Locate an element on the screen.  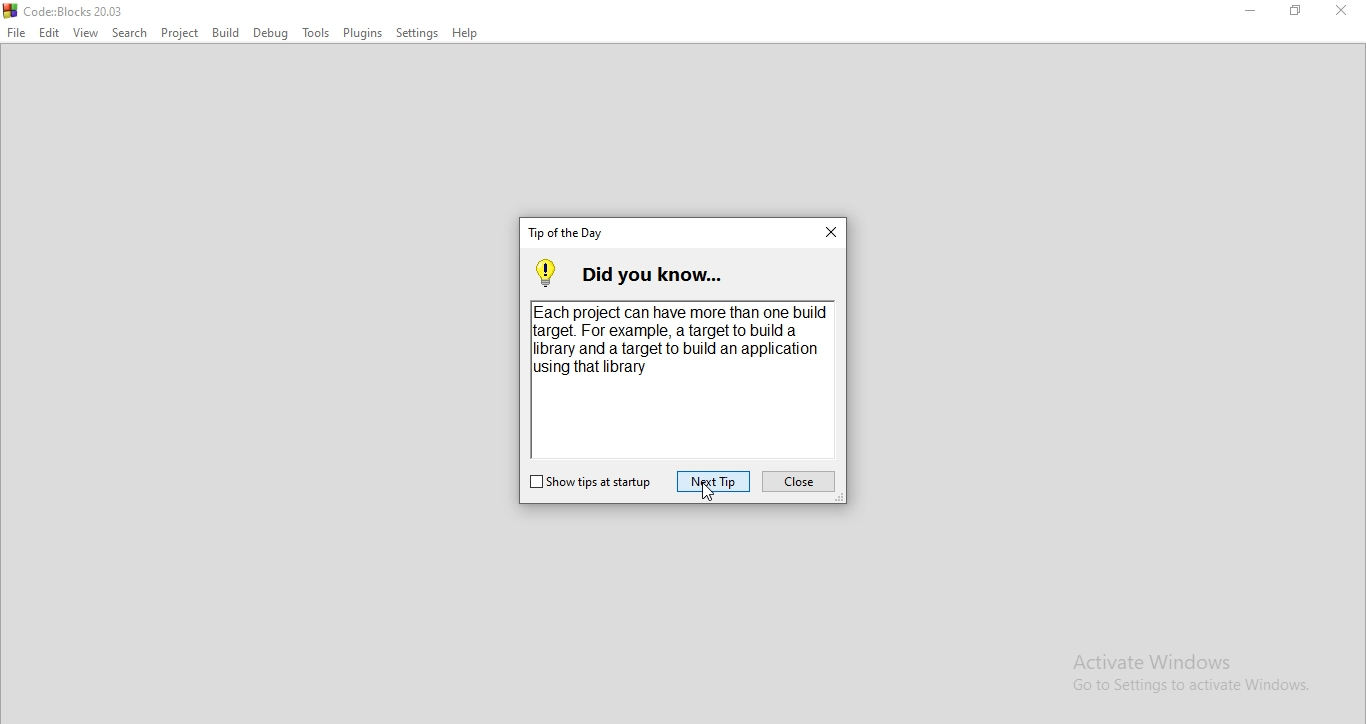
Build  is located at coordinates (226, 34).